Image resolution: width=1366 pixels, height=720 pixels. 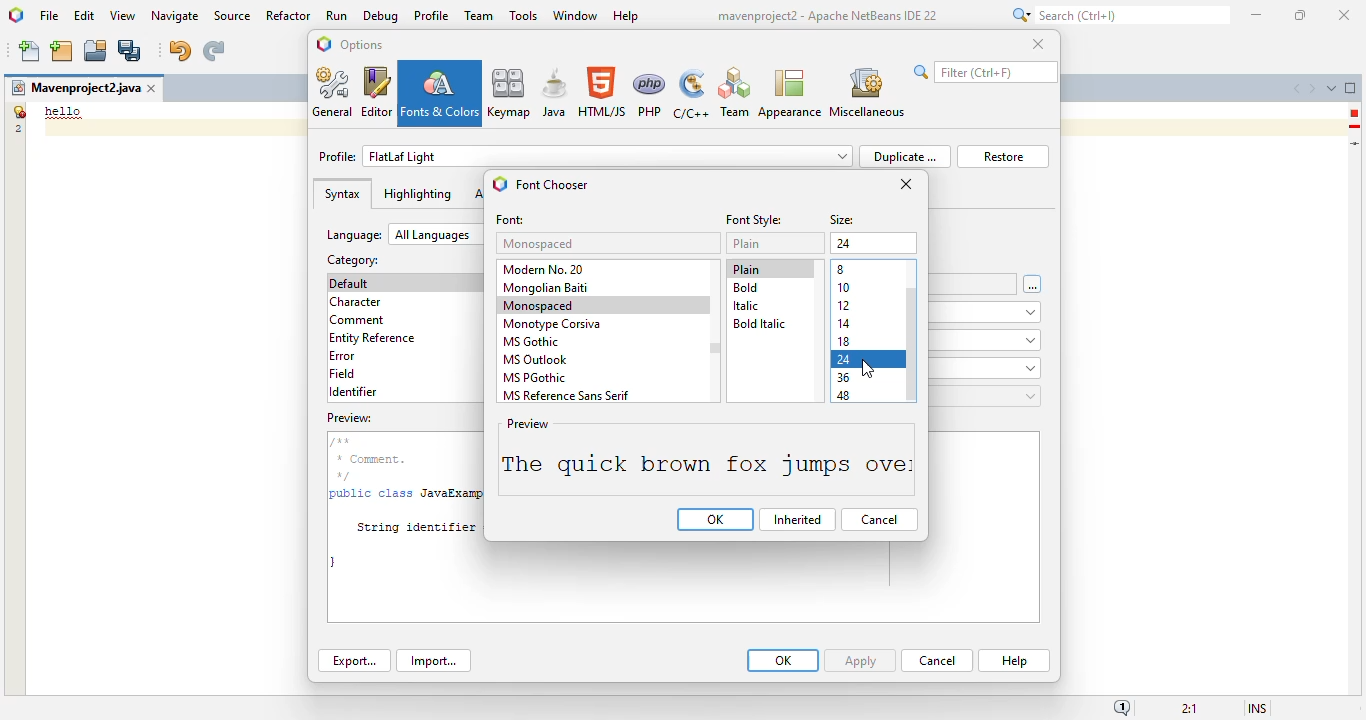 What do you see at coordinates (382, 16) in the screenshot?
I see `debug` at bounding box center [382, 16].